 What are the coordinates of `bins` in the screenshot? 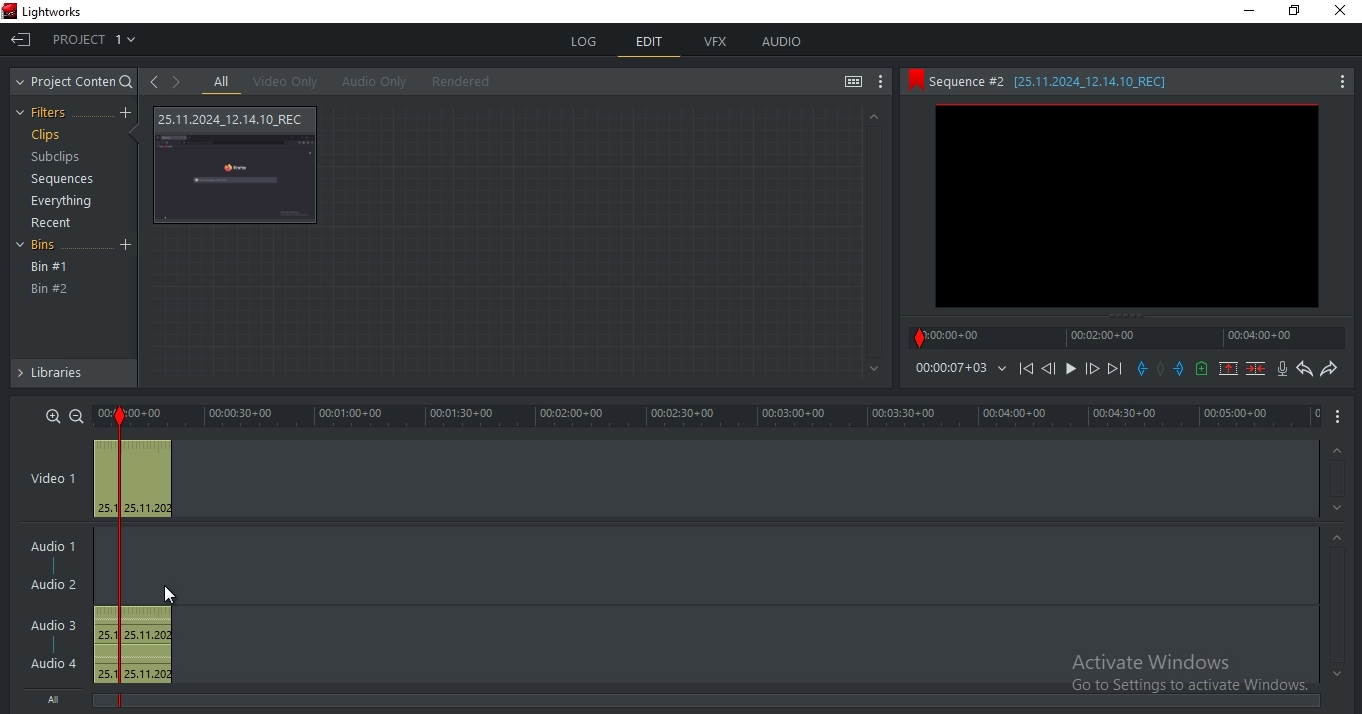 It's located at (49, 247).